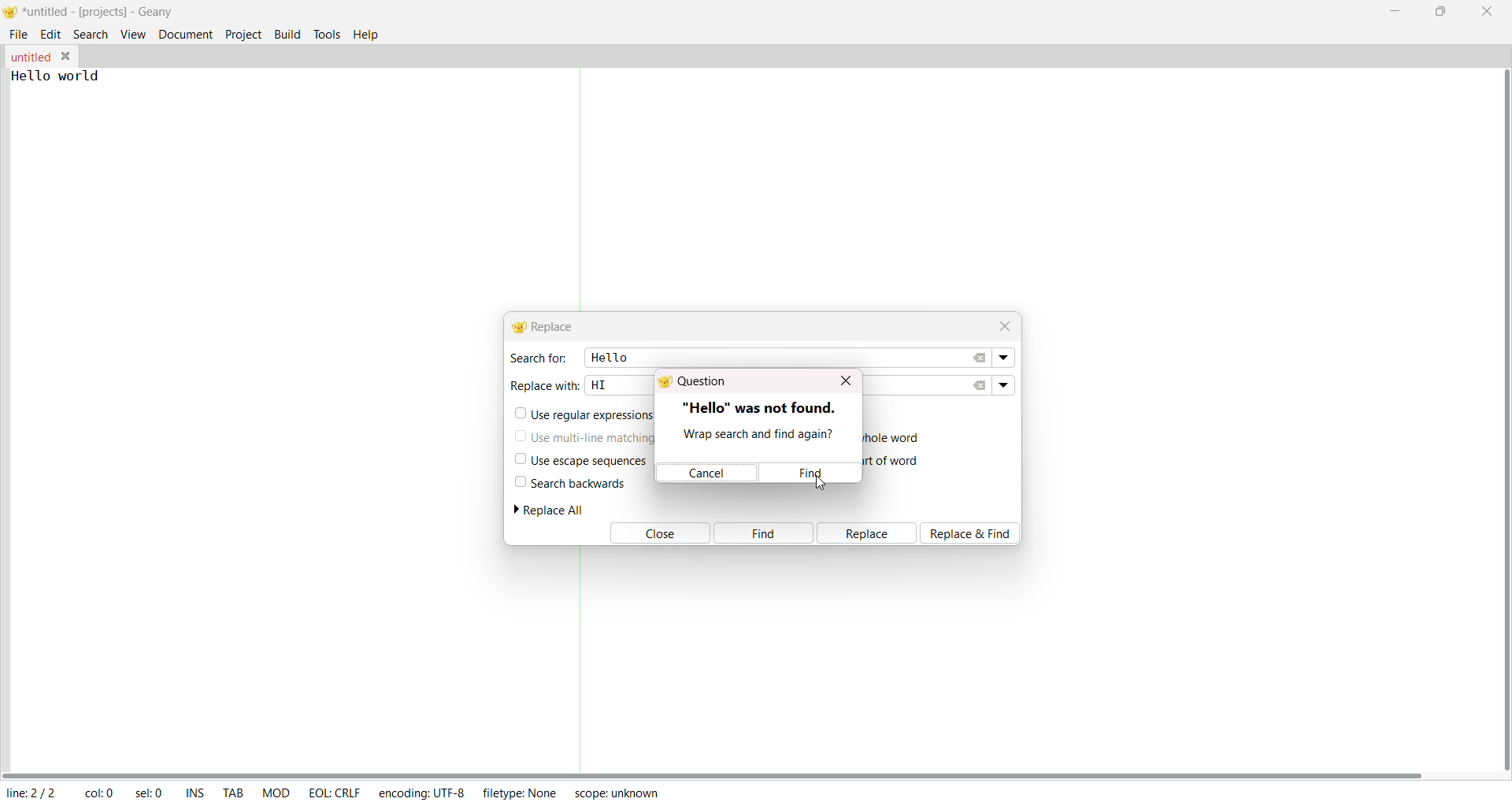 The height and width of the screenshot is (802, 1512). What do you see at coordinates (243, 33) in the screenshot?
I see `project` at bounding box center [243, 33].